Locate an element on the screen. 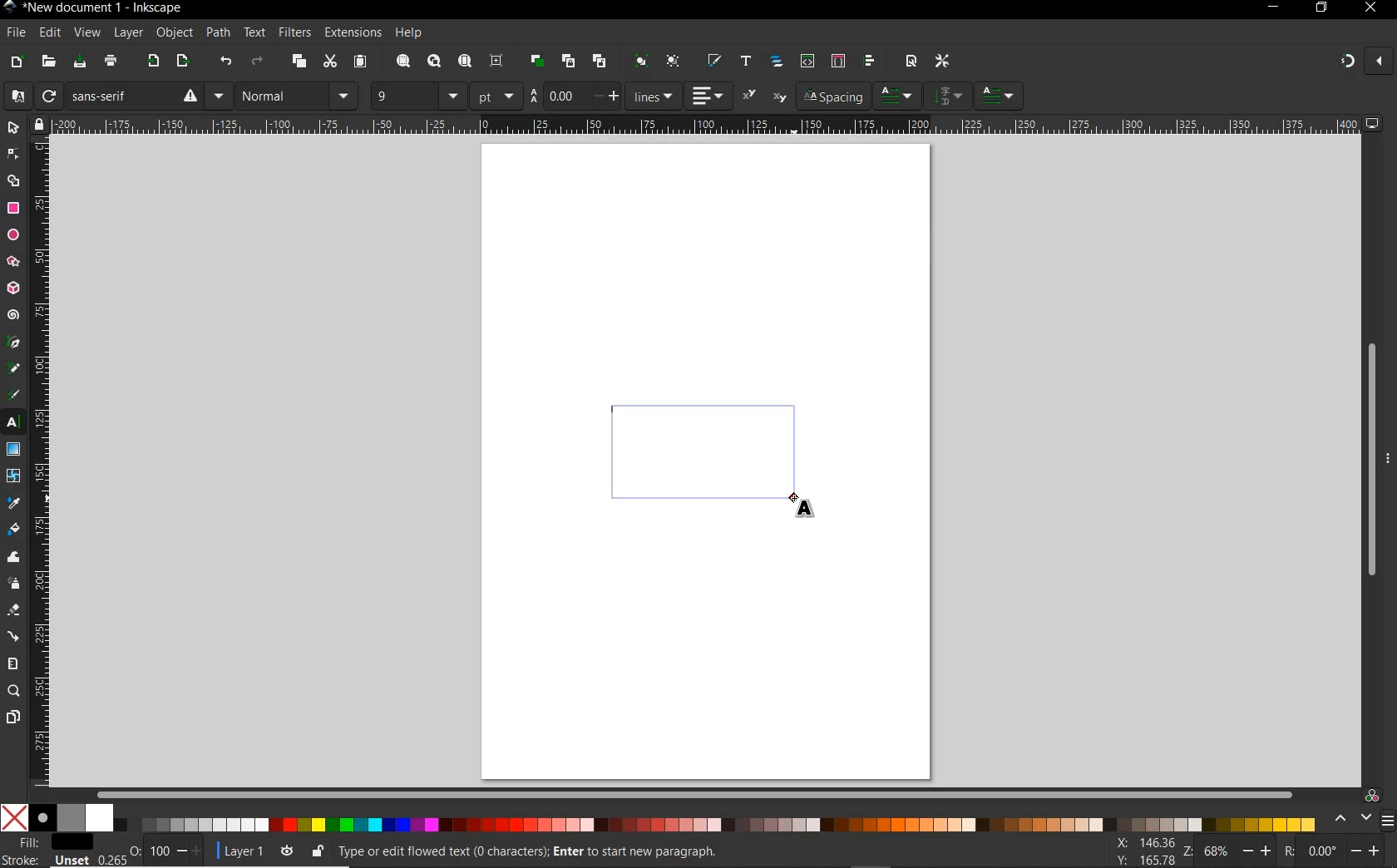 Image resolution: width=1397 pixels, height=868 pixels. Normal is located at coordinates (281, 96).